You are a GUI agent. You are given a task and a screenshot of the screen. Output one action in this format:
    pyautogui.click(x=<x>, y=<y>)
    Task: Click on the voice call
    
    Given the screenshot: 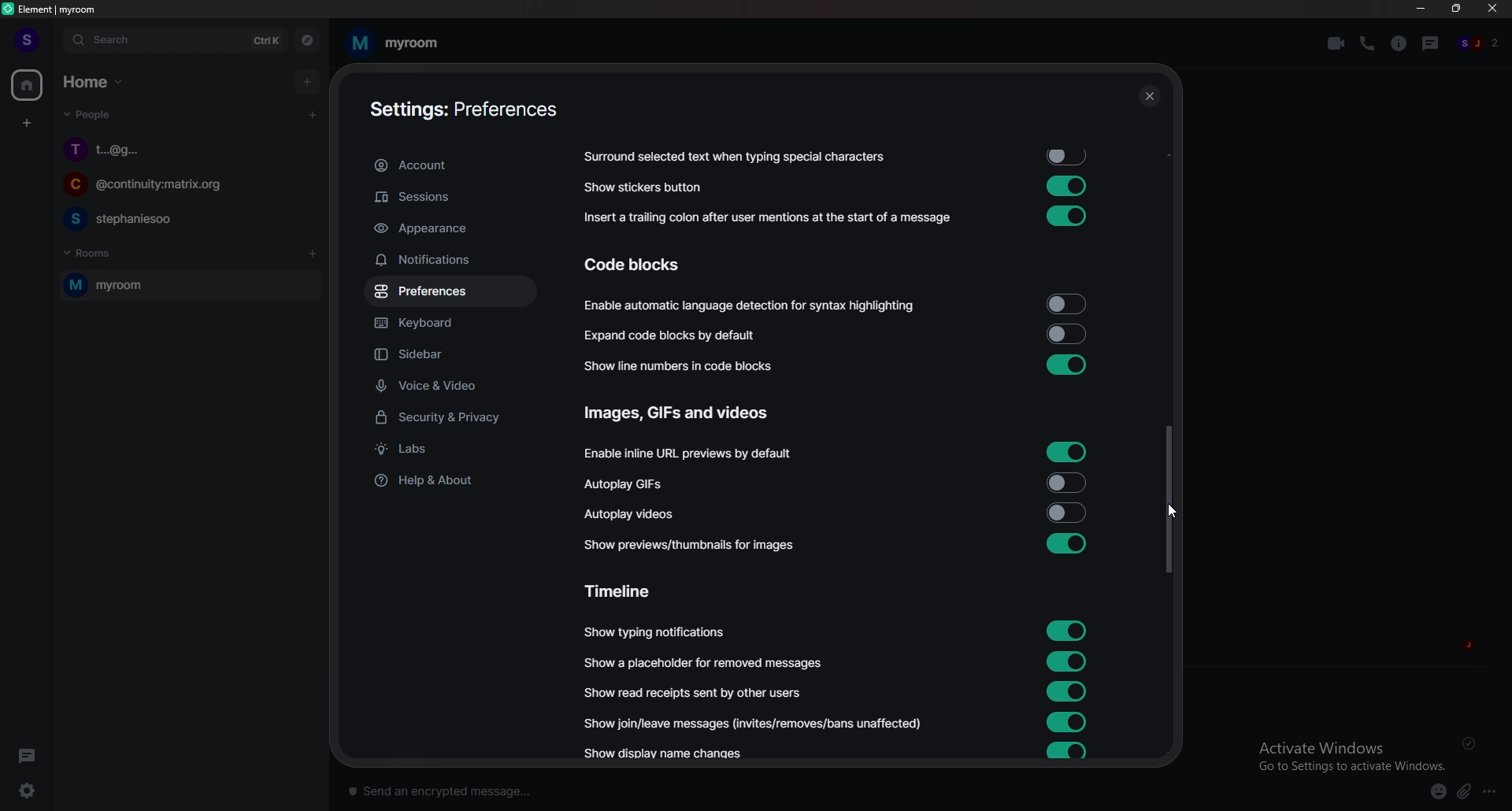 What is the action you would take?
    pyautogui.click(x=1367, y=43)
    